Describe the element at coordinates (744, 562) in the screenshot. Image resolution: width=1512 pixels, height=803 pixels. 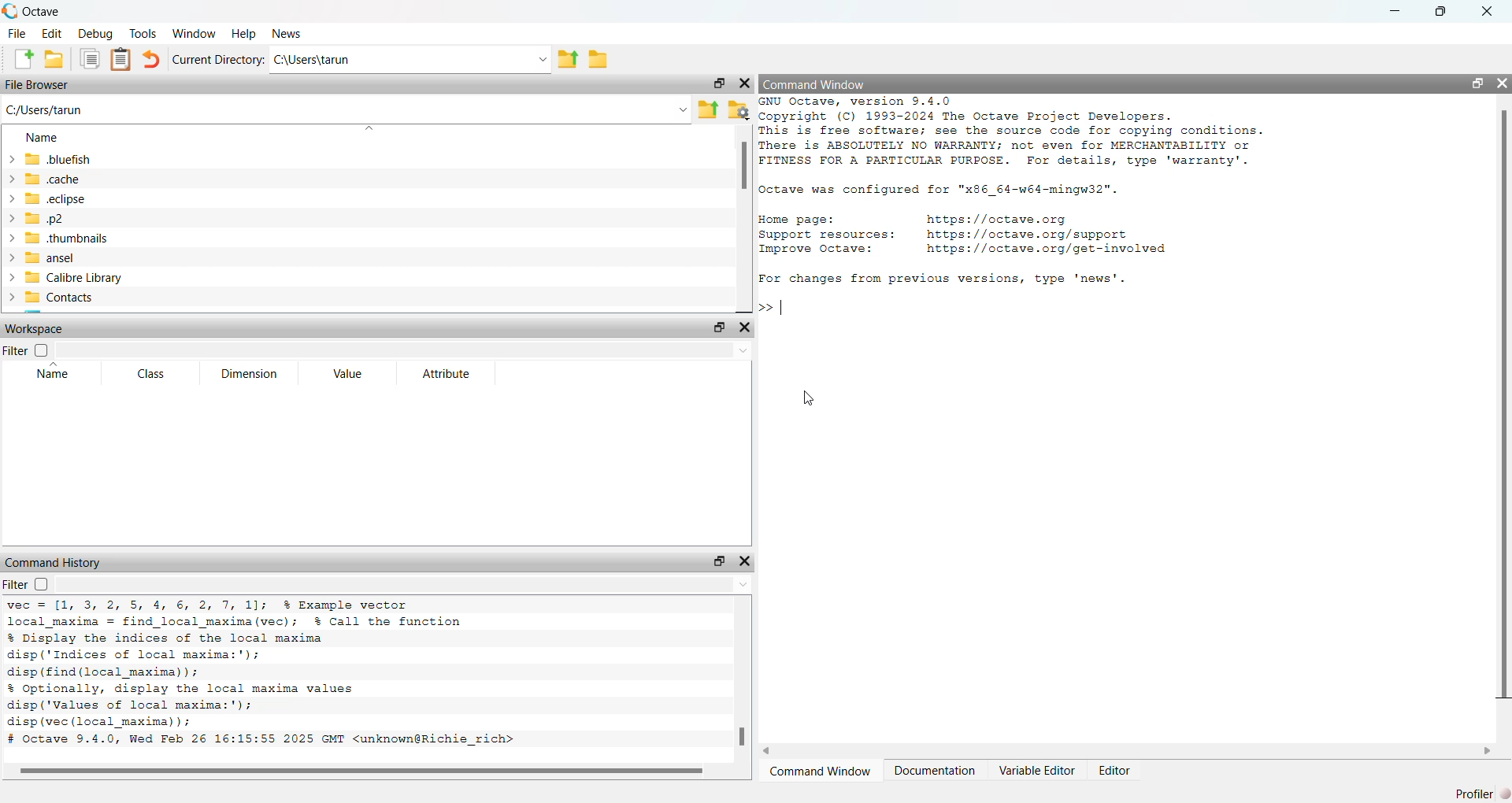
I see `Hide Widget` at that location.